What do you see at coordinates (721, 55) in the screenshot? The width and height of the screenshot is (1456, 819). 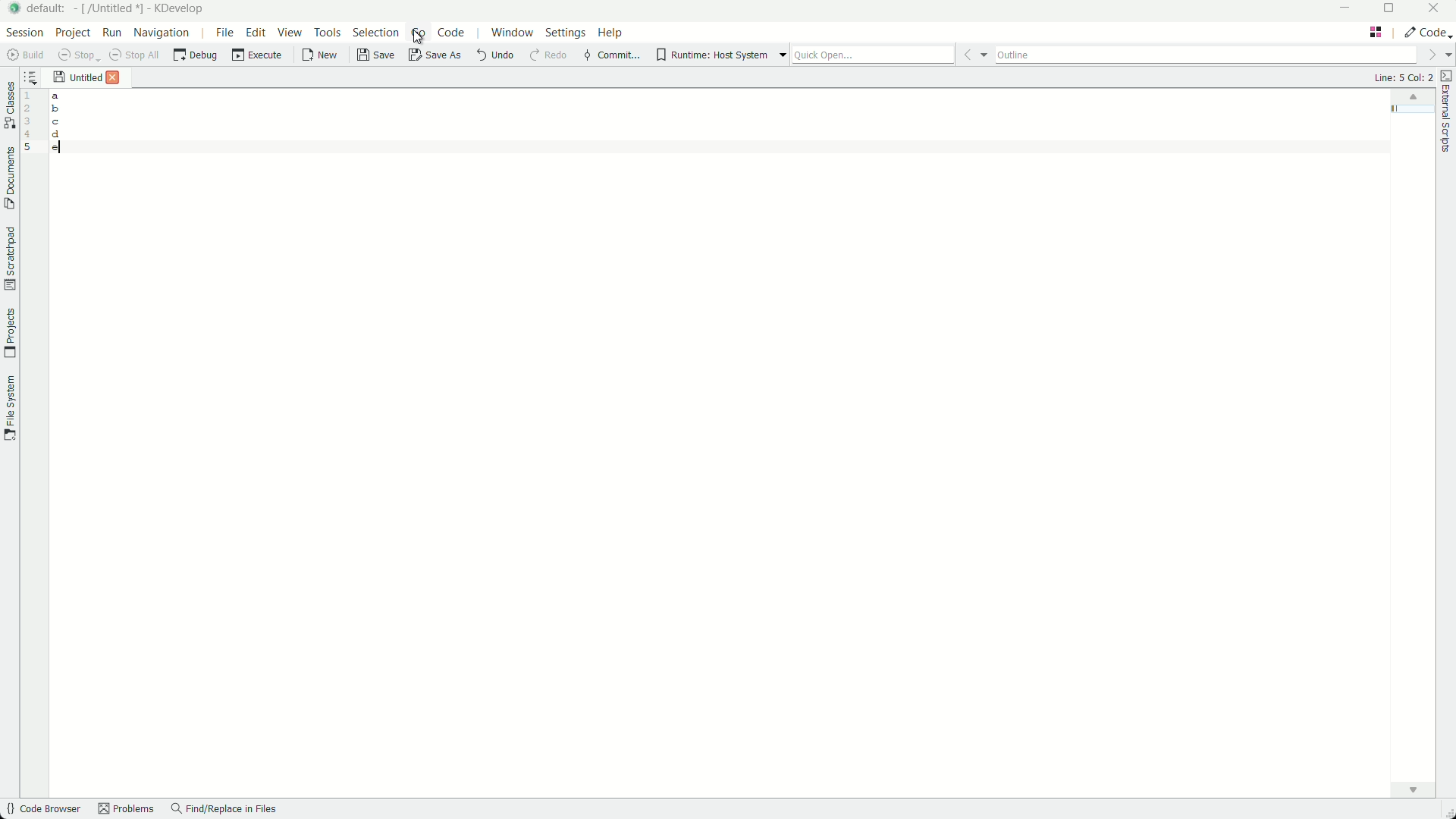 I see `runtime host system` at bounding box center [721, 55].